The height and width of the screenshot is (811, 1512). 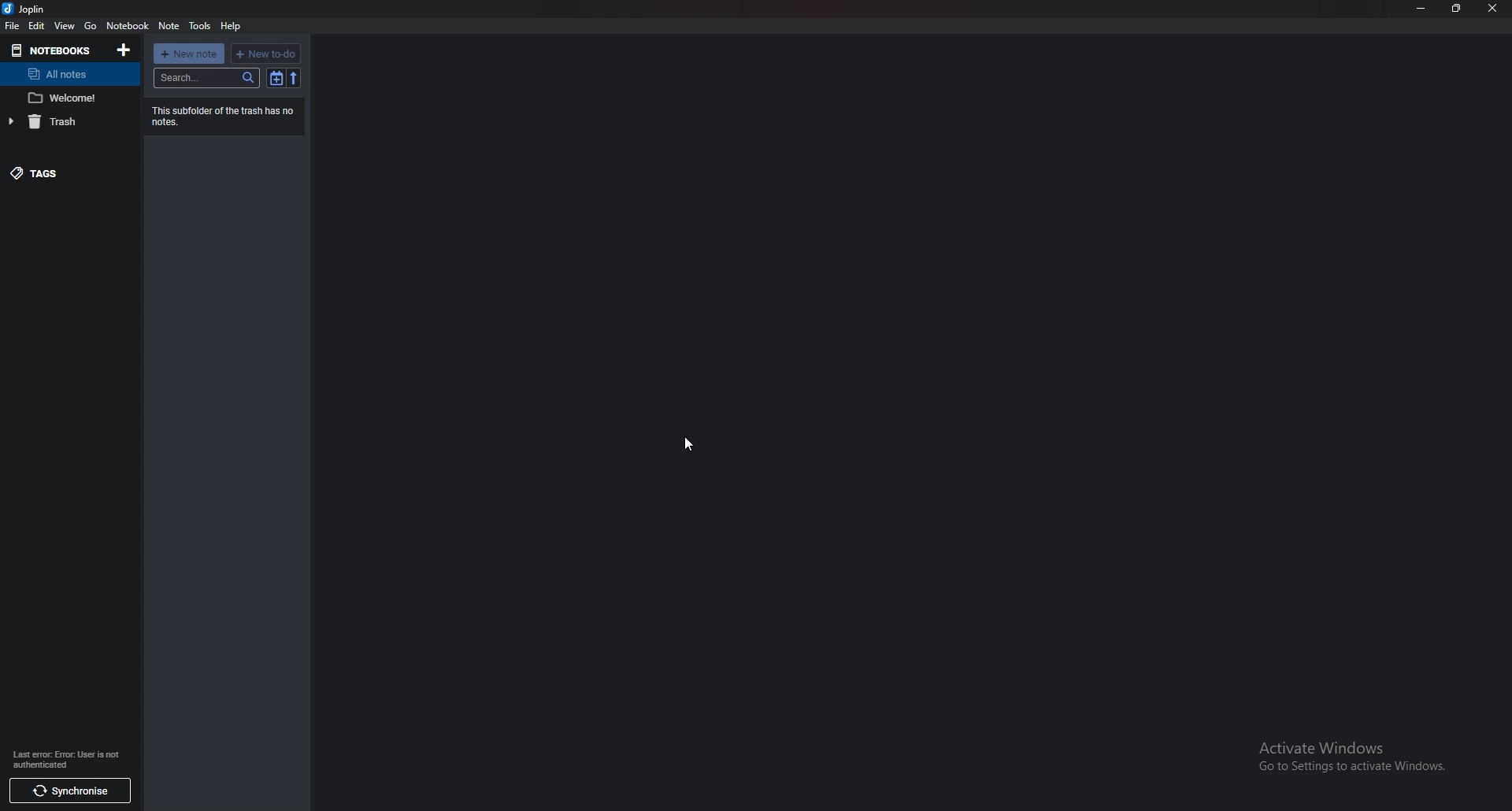 I want to click on file, so click(x=13, y=25).